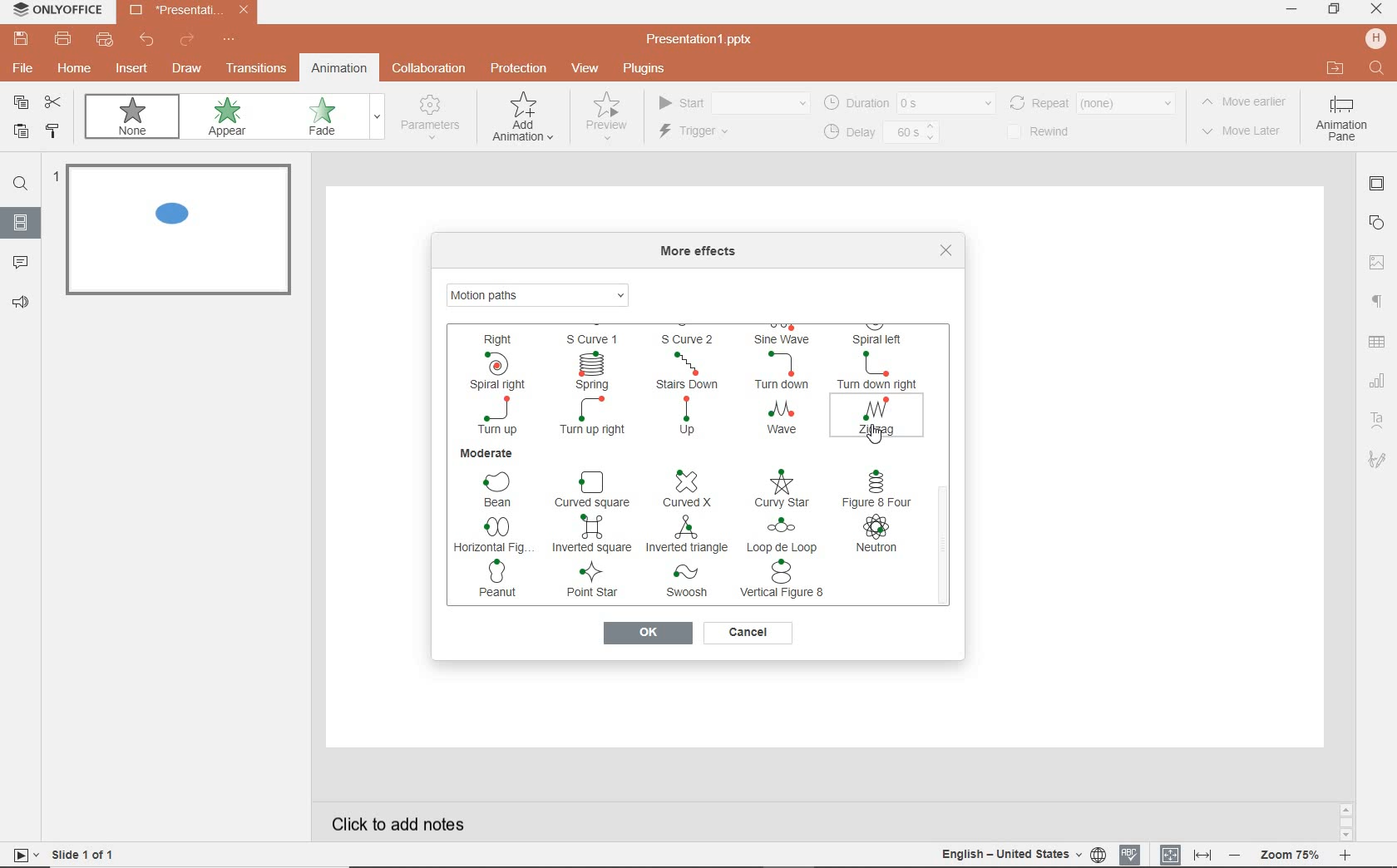  What do you see at coordinates (402, 819) in the screenshot?
I see `click to add notes` at bounding box center [402, 819].